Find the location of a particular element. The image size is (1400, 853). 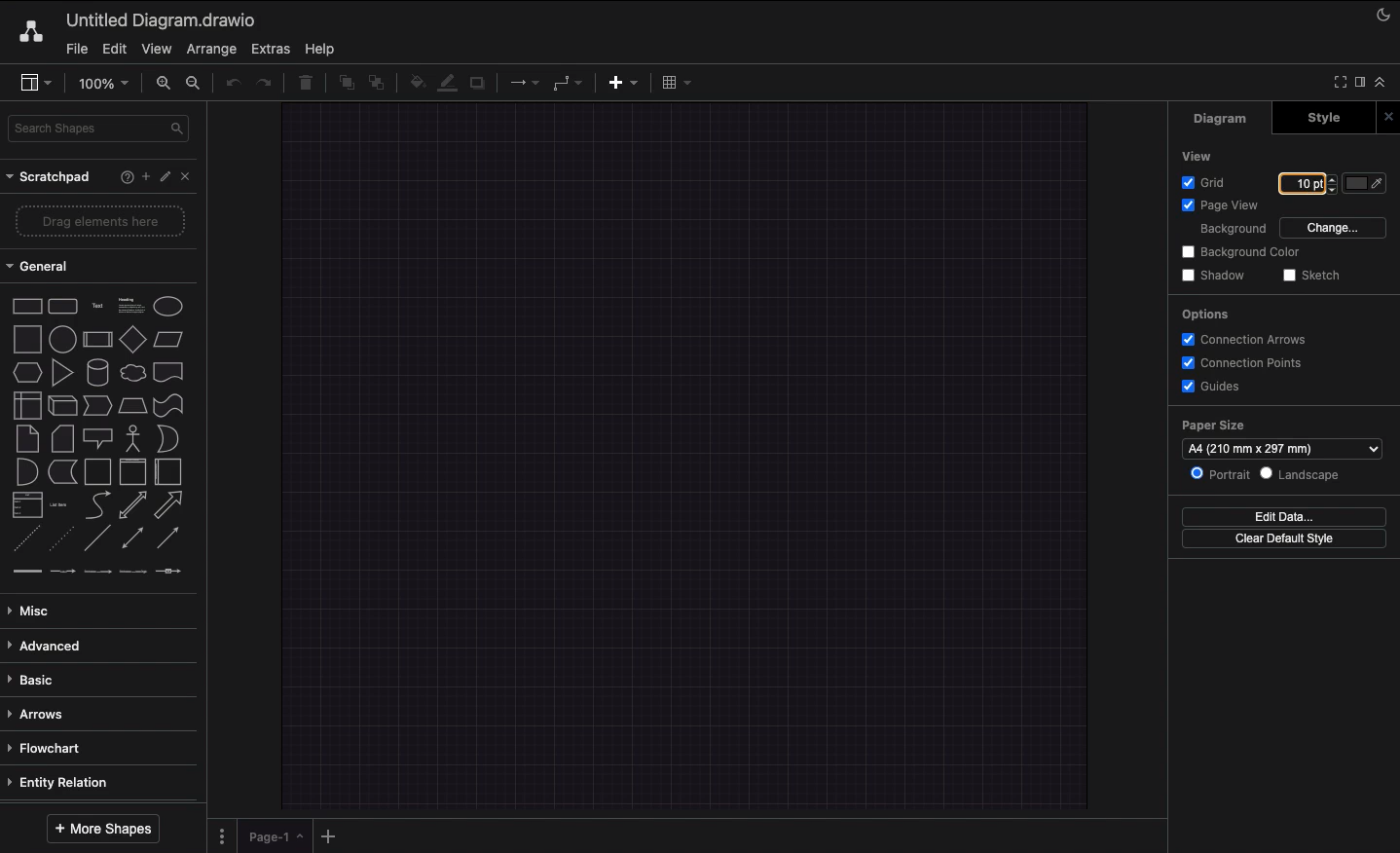

Undo is located at coordinates (231, 85).